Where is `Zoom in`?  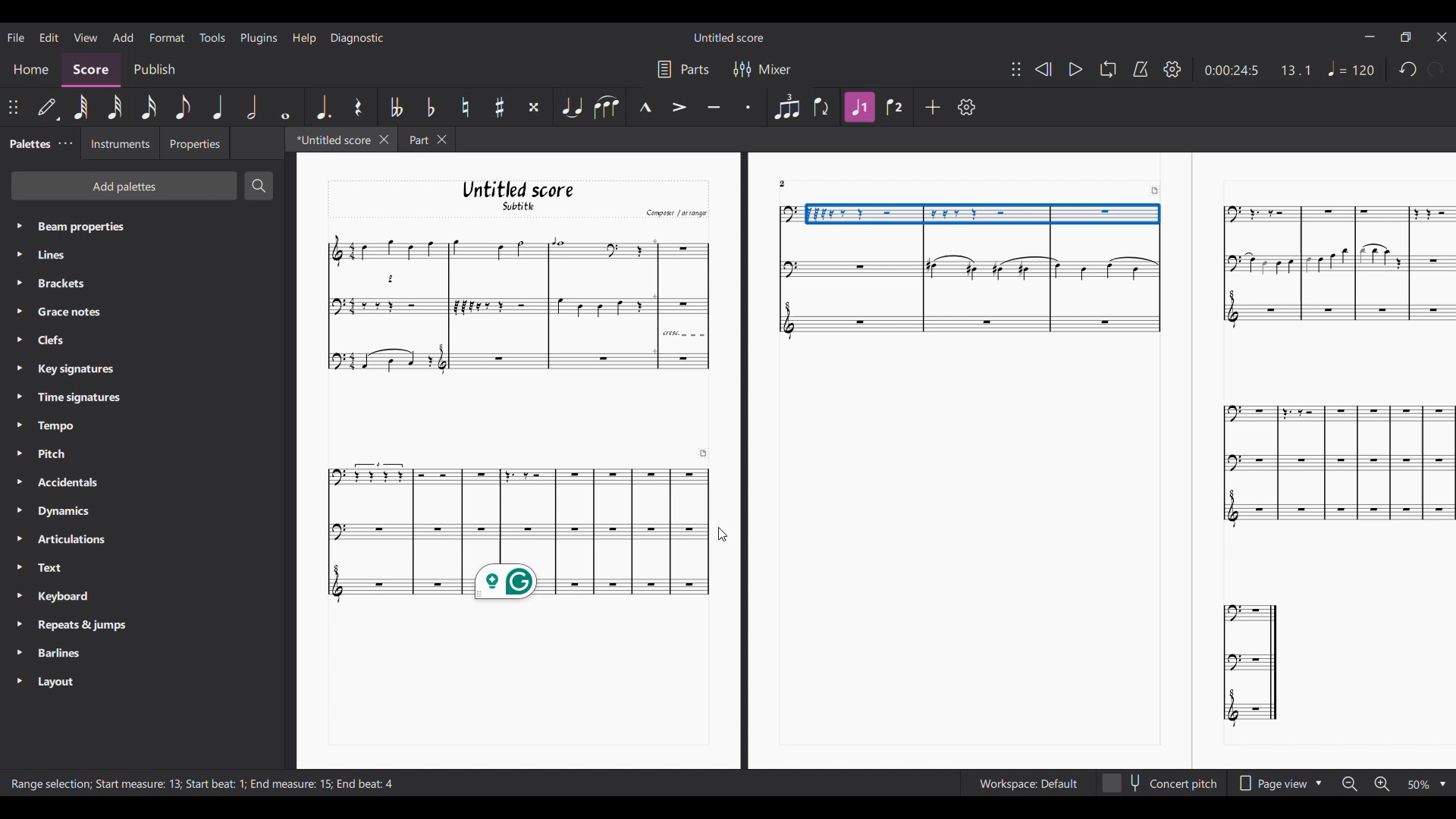
Zoom in is located at coordinates (1383, 785).